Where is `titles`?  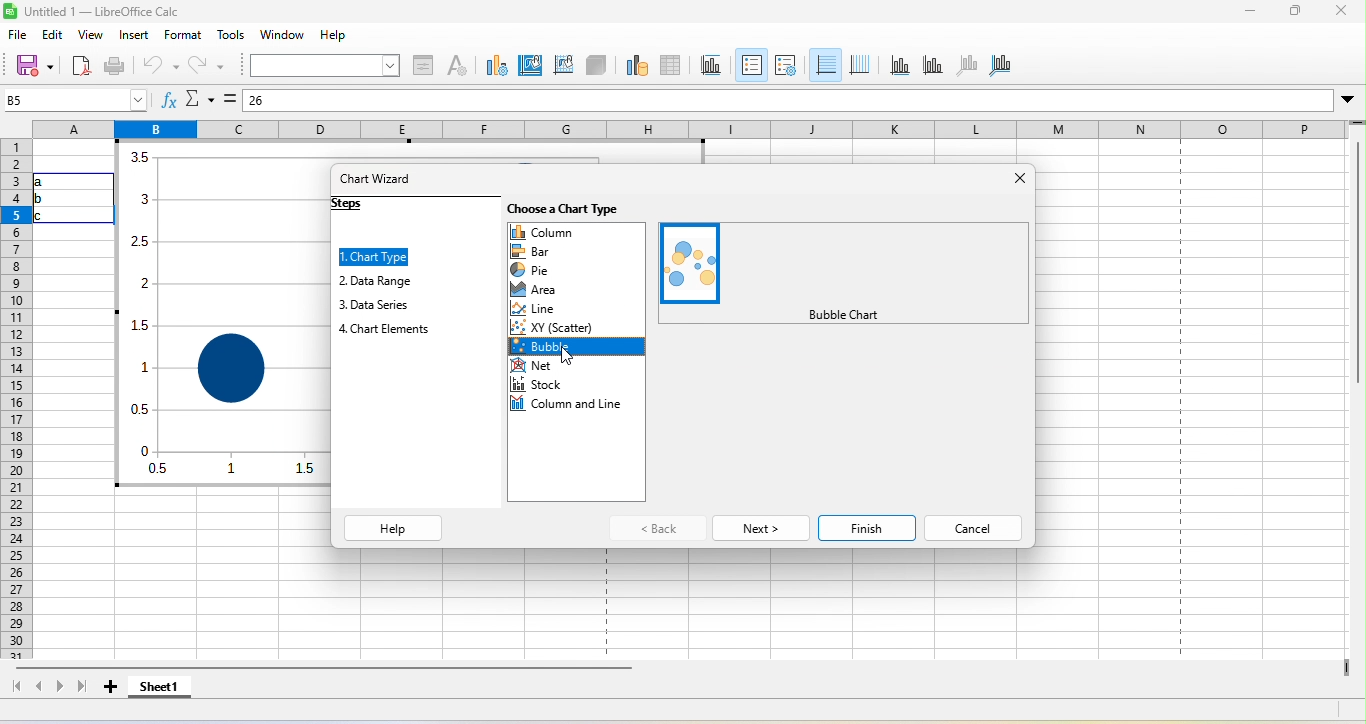 titles is located at coordinates (710, 64).